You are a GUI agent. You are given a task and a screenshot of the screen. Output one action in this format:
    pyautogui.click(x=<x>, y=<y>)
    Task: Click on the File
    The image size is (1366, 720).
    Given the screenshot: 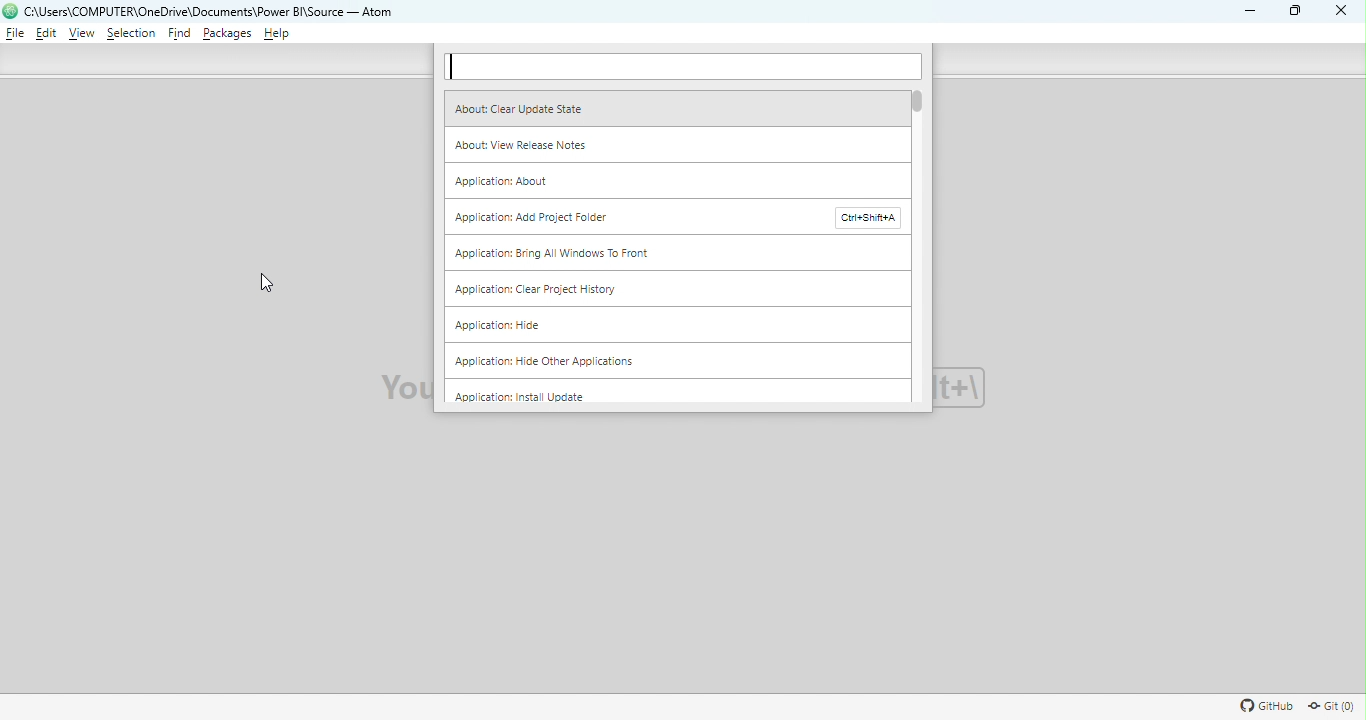 What is the action you would take?
    pyautogui.click(x=15, y=33)
    